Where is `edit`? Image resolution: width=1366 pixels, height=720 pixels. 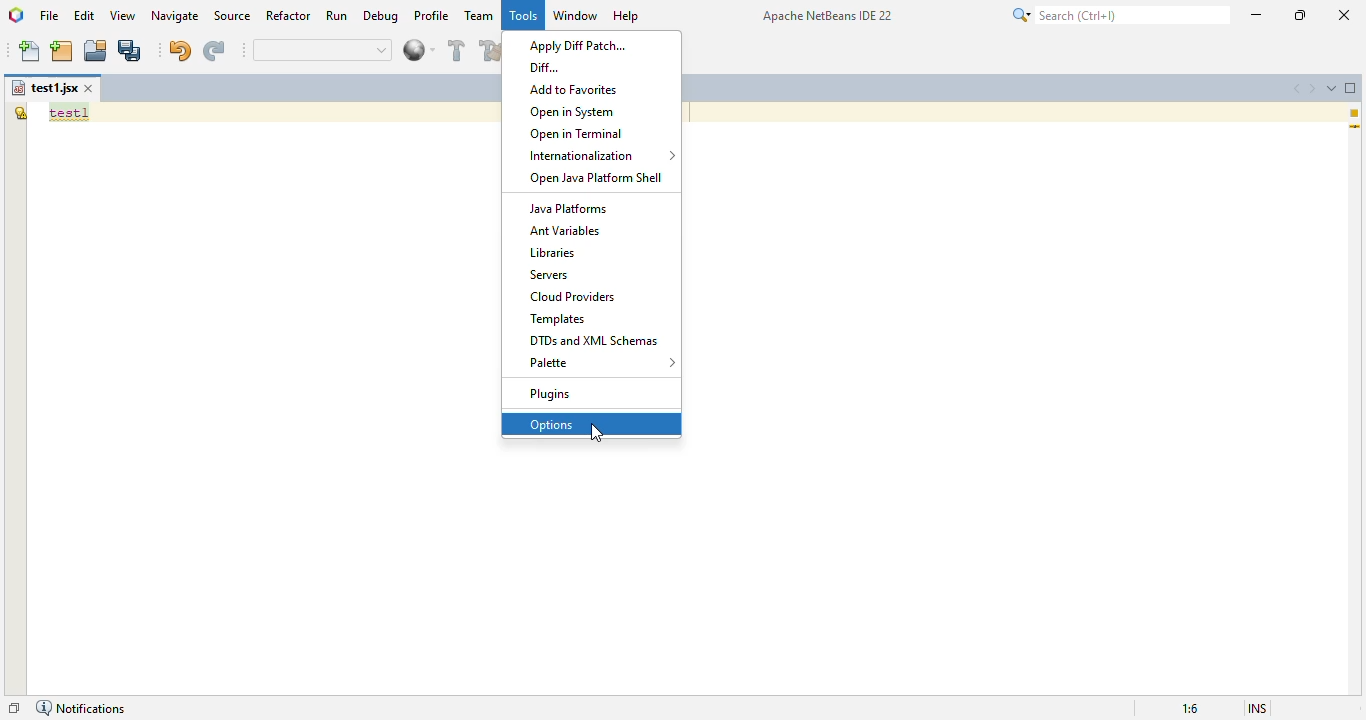 edit is located at coordinates (85, 15).